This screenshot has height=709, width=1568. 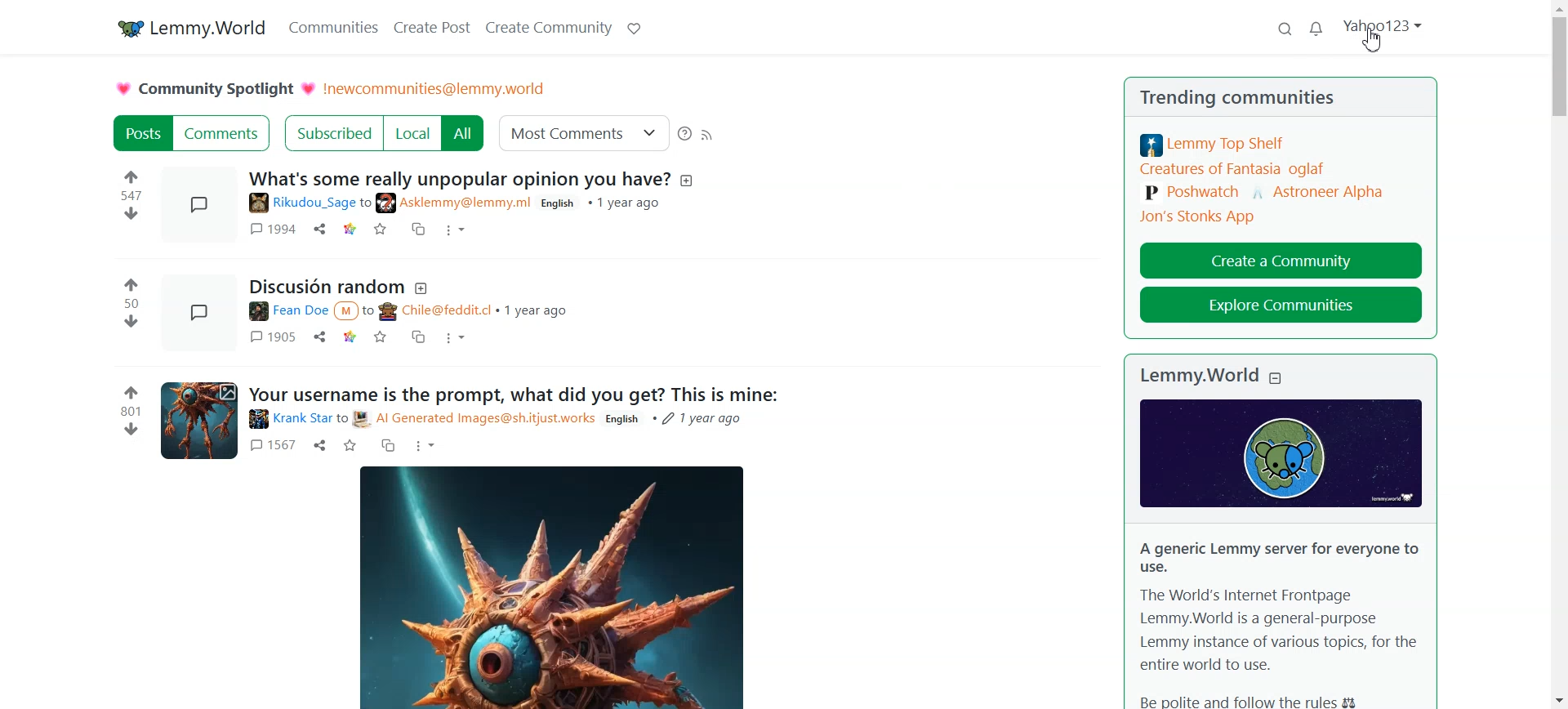 I want to click on Posts, so click(x=141, y=133).